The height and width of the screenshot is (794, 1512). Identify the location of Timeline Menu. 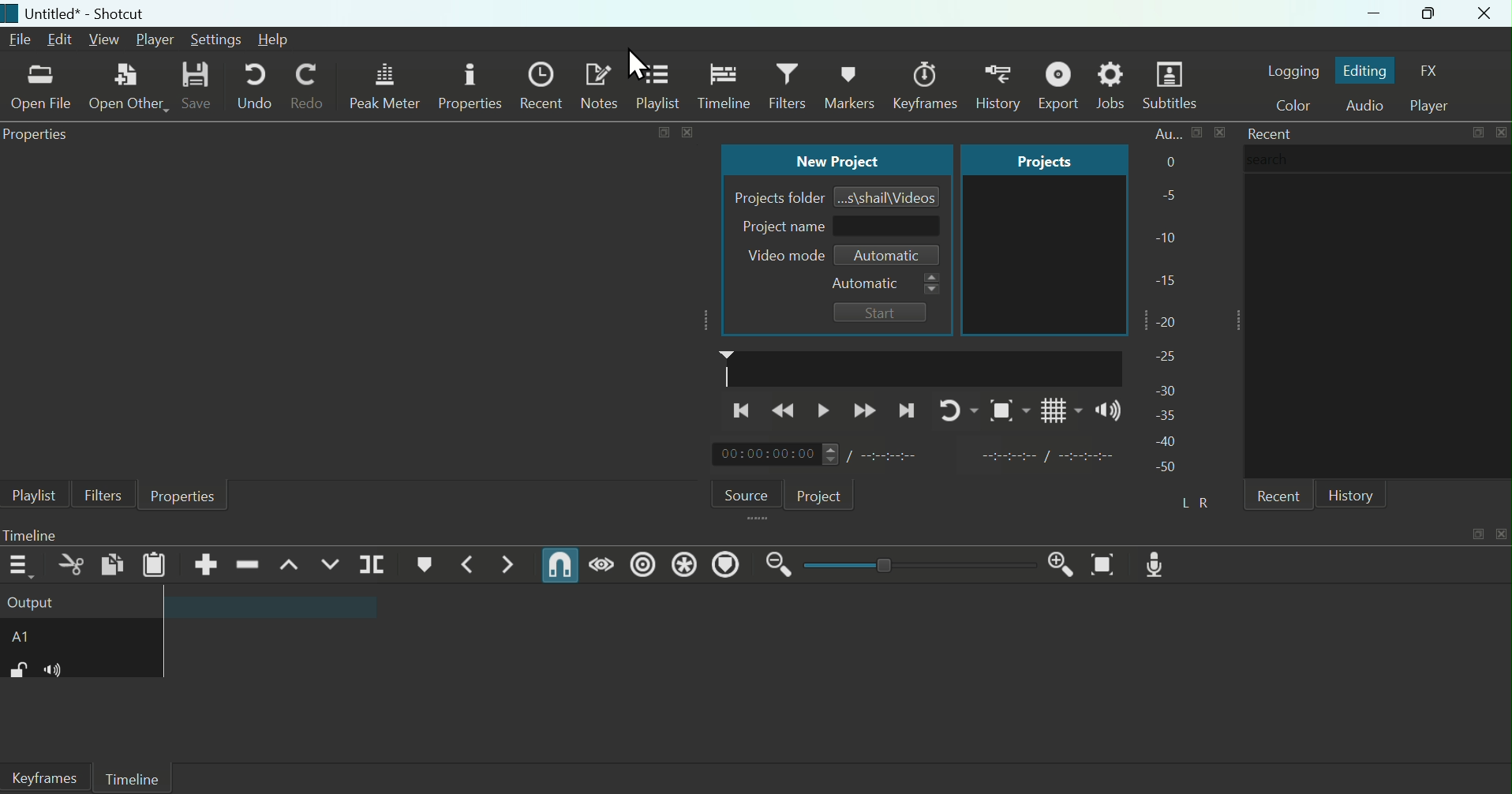
(22, 565).